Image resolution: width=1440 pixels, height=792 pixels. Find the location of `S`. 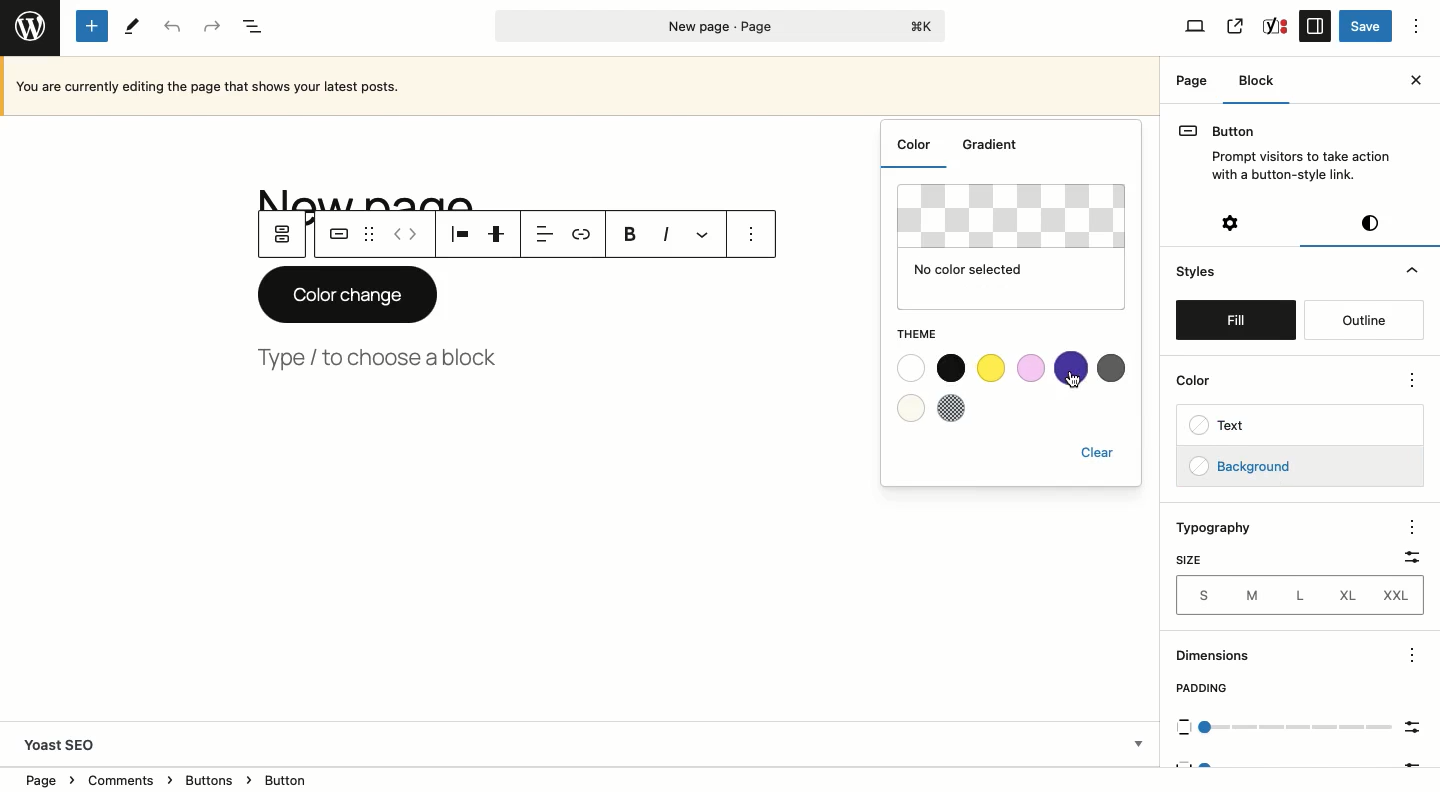

S is located at coordinates (1201, 596).